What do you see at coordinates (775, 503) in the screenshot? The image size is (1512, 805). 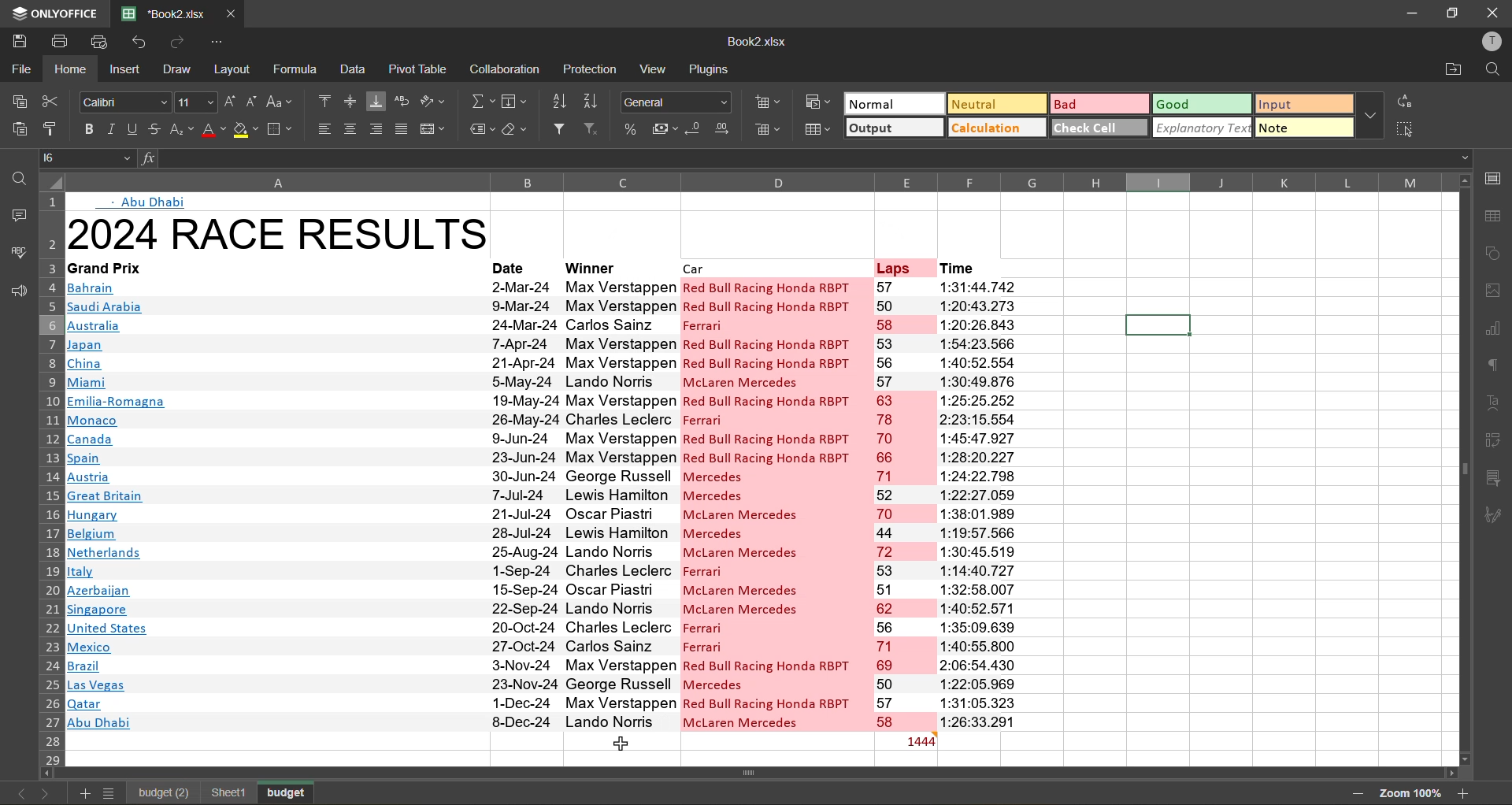 I see `car name` at bounding box center [775, 503].